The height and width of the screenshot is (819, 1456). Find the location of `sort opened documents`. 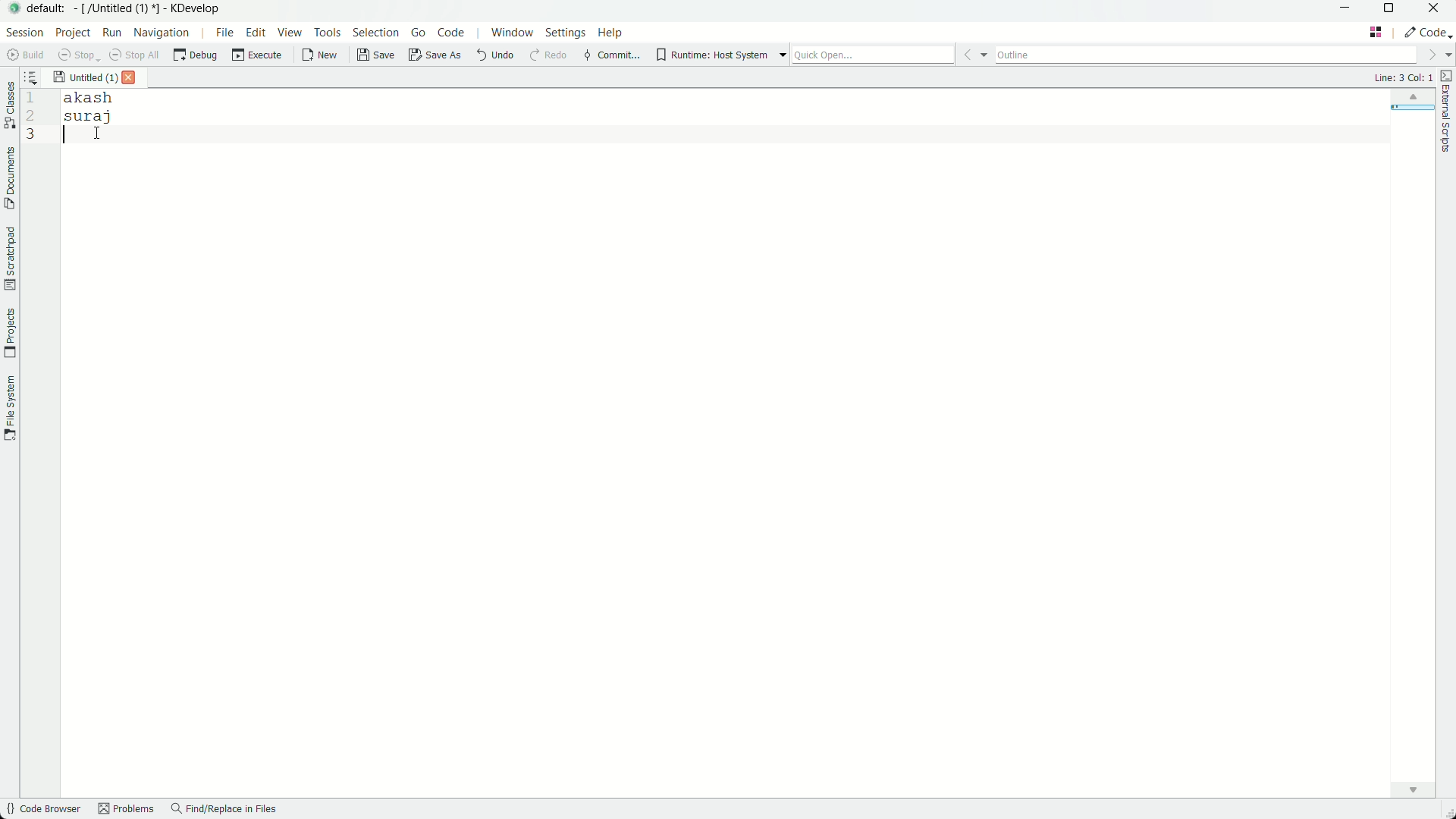

sort opened documents is located at coordinates (37, 77).